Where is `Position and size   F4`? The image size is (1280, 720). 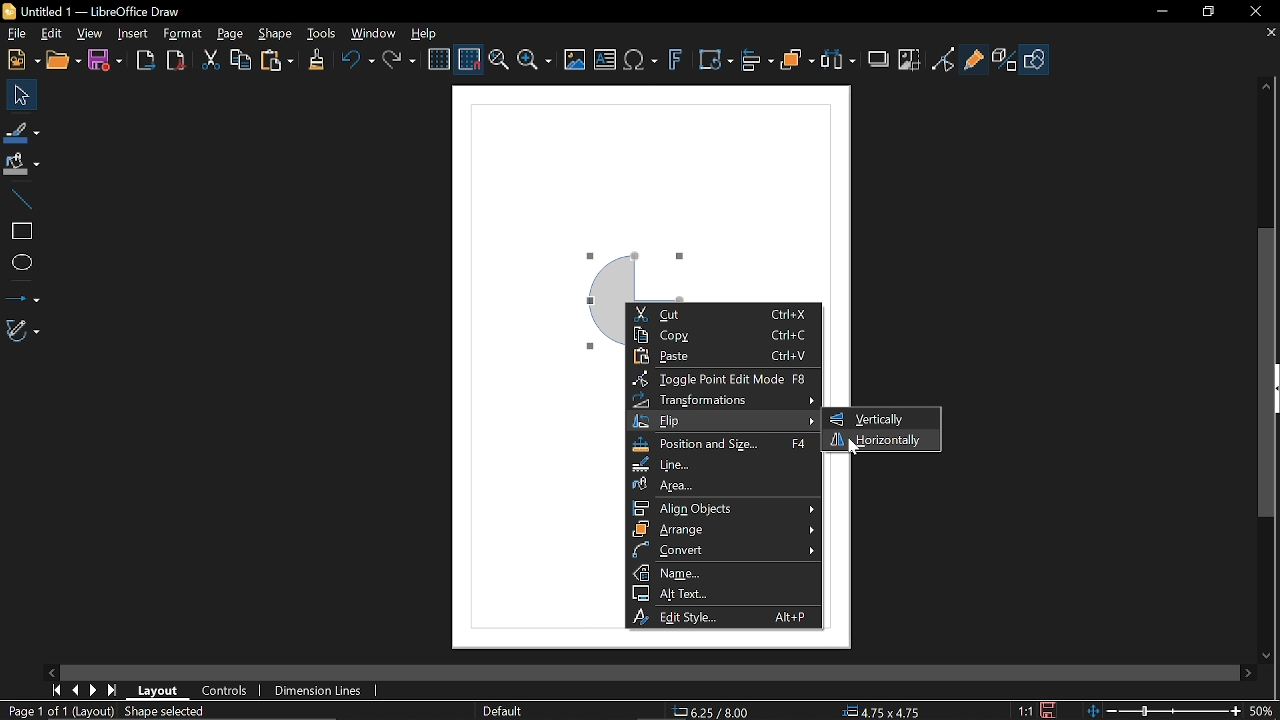 Position and size   F4 is located at coordinates (722, 445).